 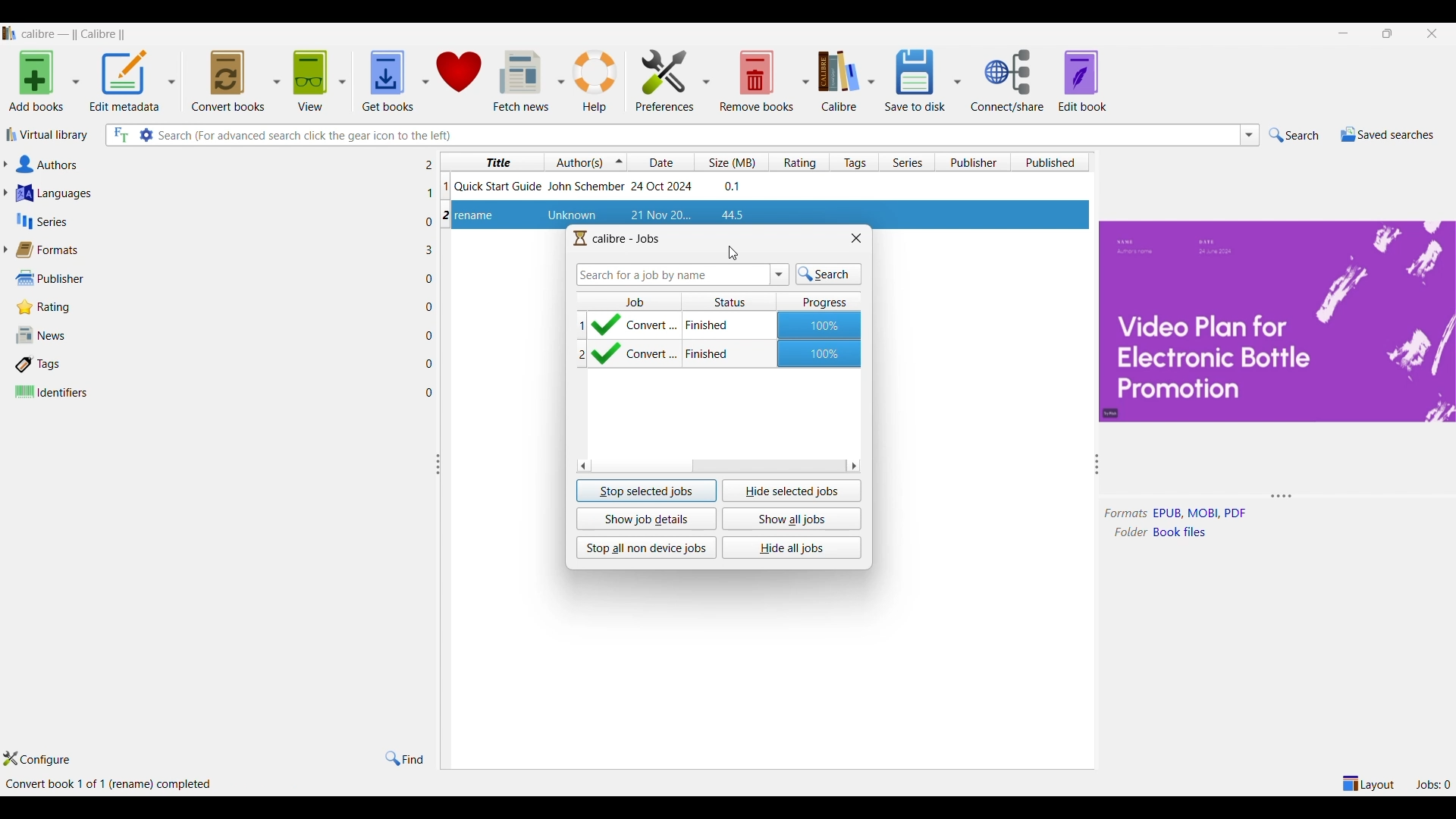 I want to click on Show job details, so click(x=646, y=519).